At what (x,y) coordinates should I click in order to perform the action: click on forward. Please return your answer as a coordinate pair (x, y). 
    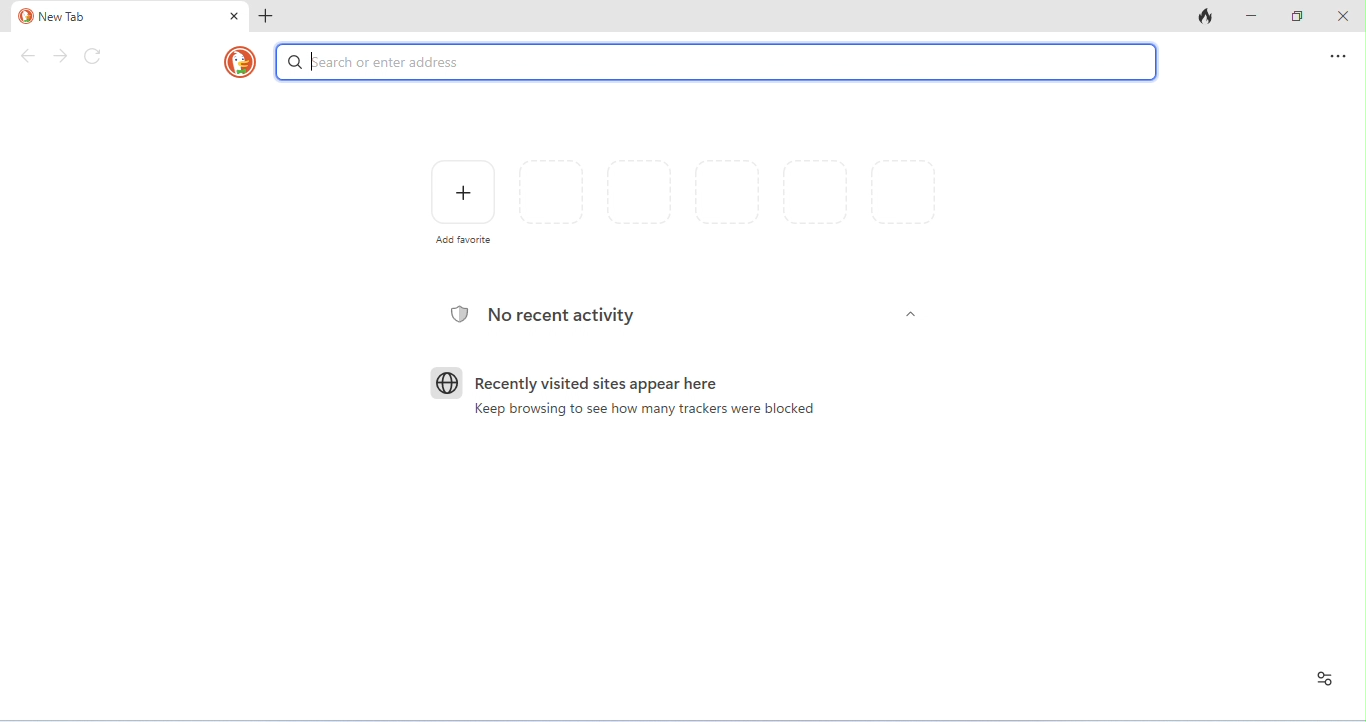
    Looking at the image, I should click on (60, 56).